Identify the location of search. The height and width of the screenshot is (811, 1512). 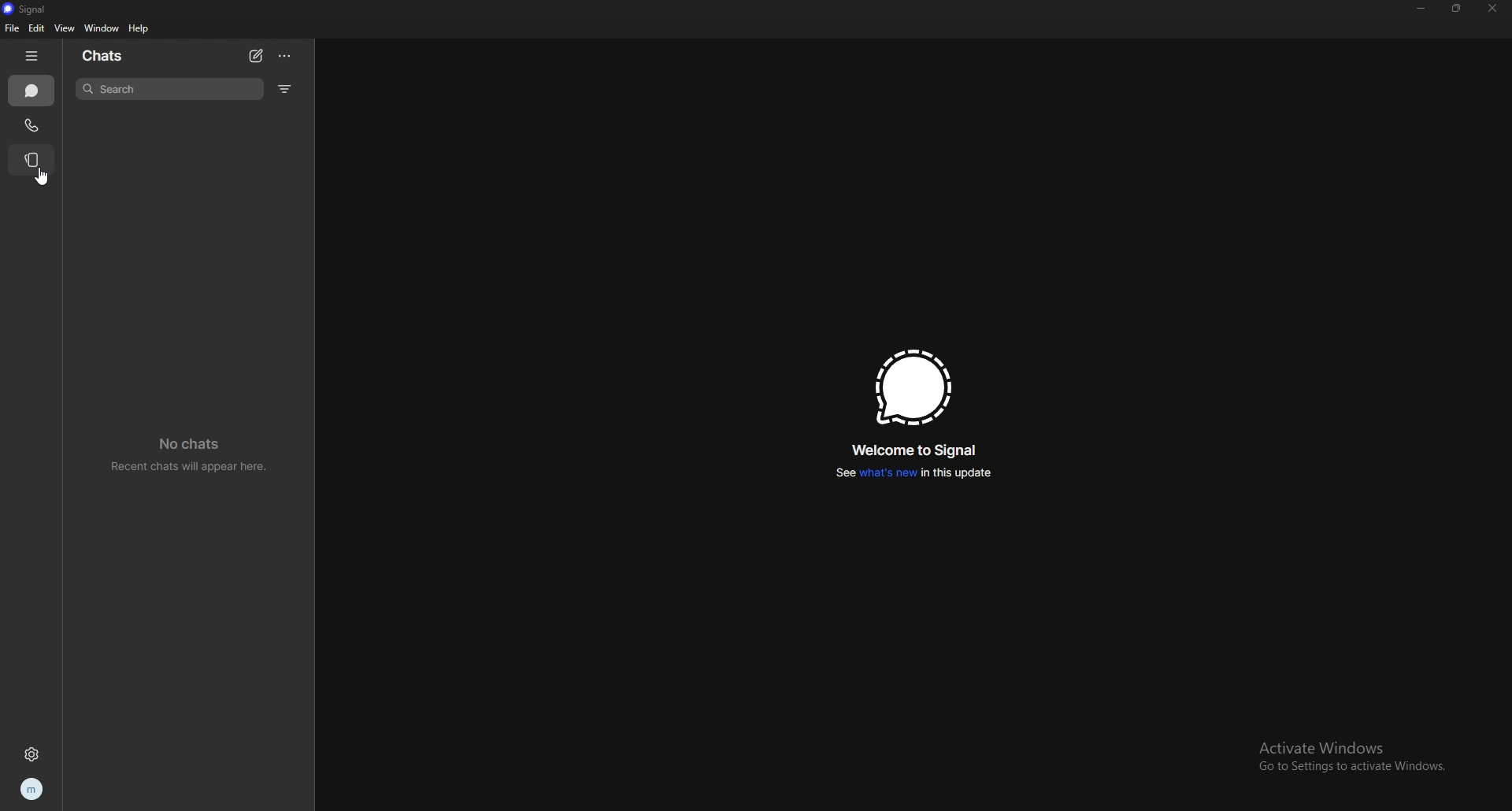
(170, 89).